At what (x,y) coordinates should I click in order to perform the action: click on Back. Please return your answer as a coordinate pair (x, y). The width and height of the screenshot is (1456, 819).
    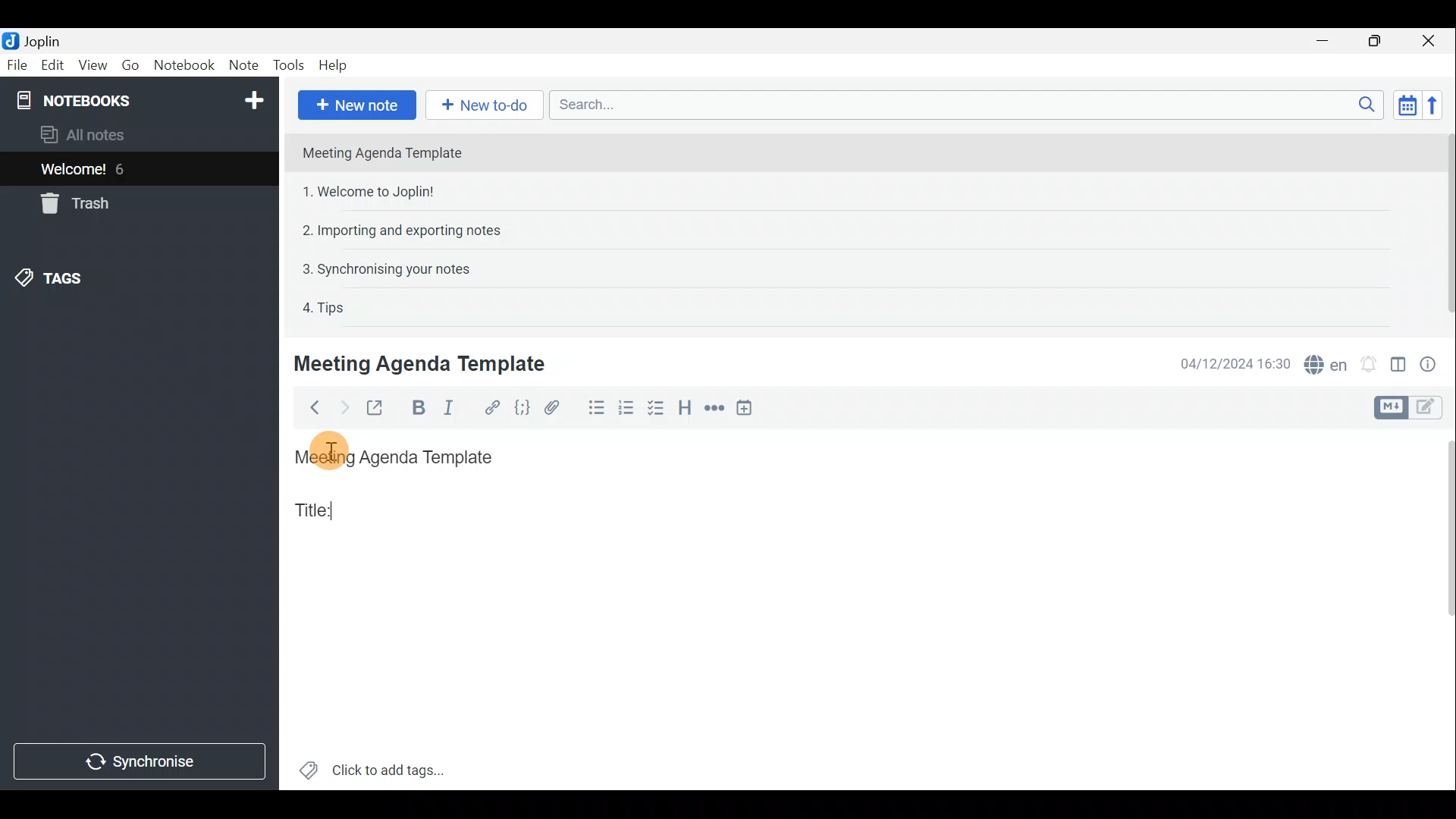
    Looking at the image, I should click on (310, 410).